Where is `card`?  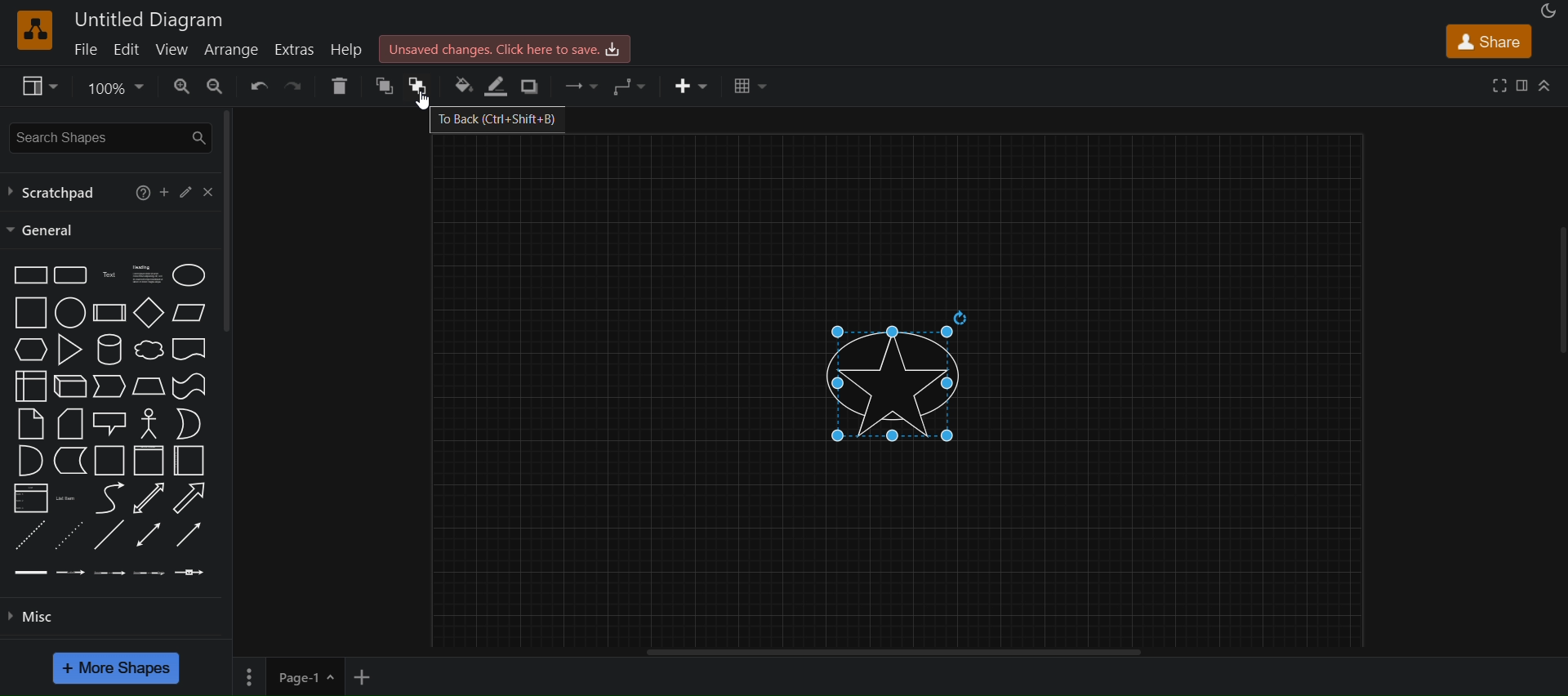
card is located at coordinates (69, 422).